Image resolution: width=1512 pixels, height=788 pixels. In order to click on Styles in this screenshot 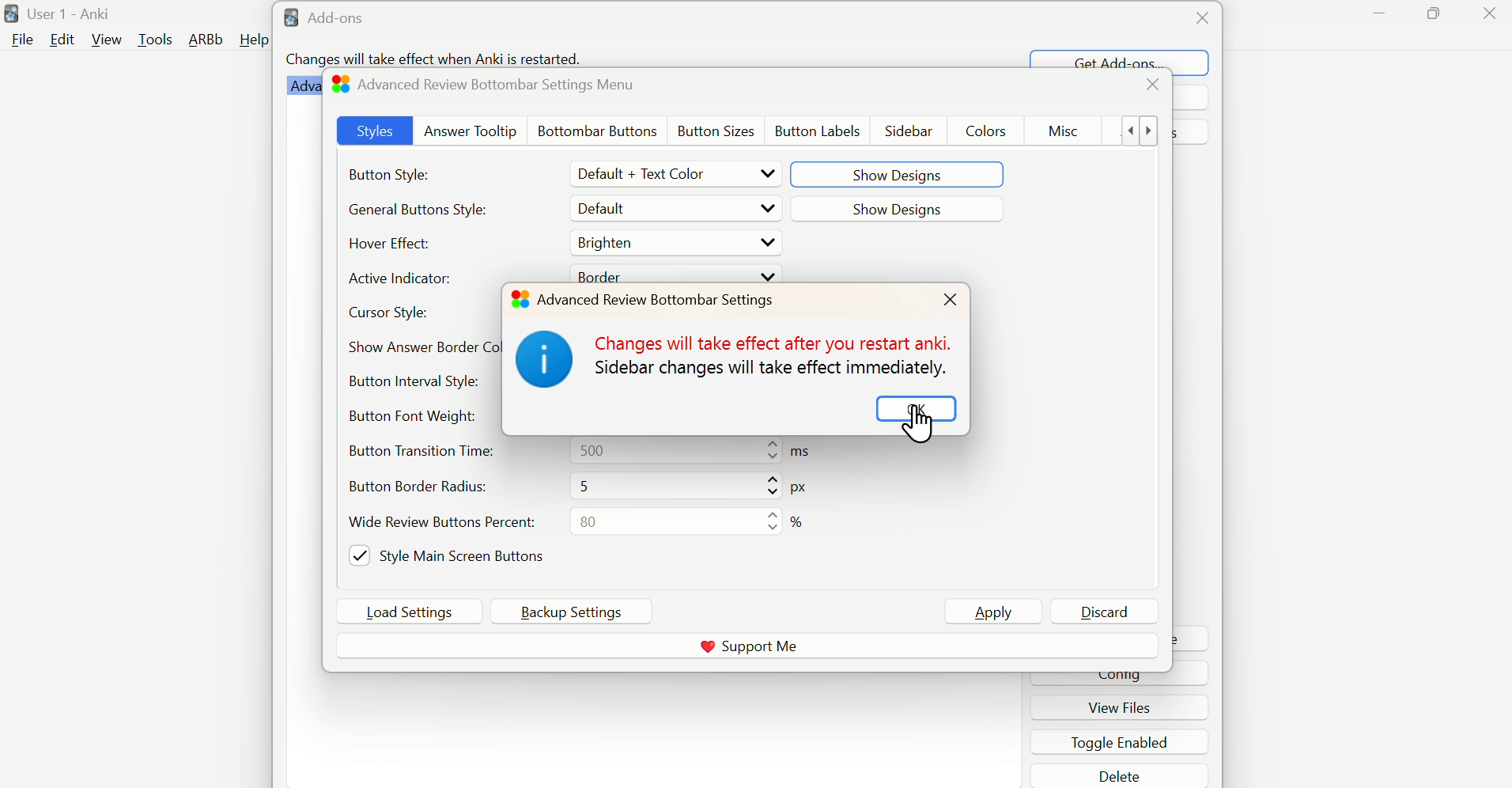, I will do `click(372, 129)`.